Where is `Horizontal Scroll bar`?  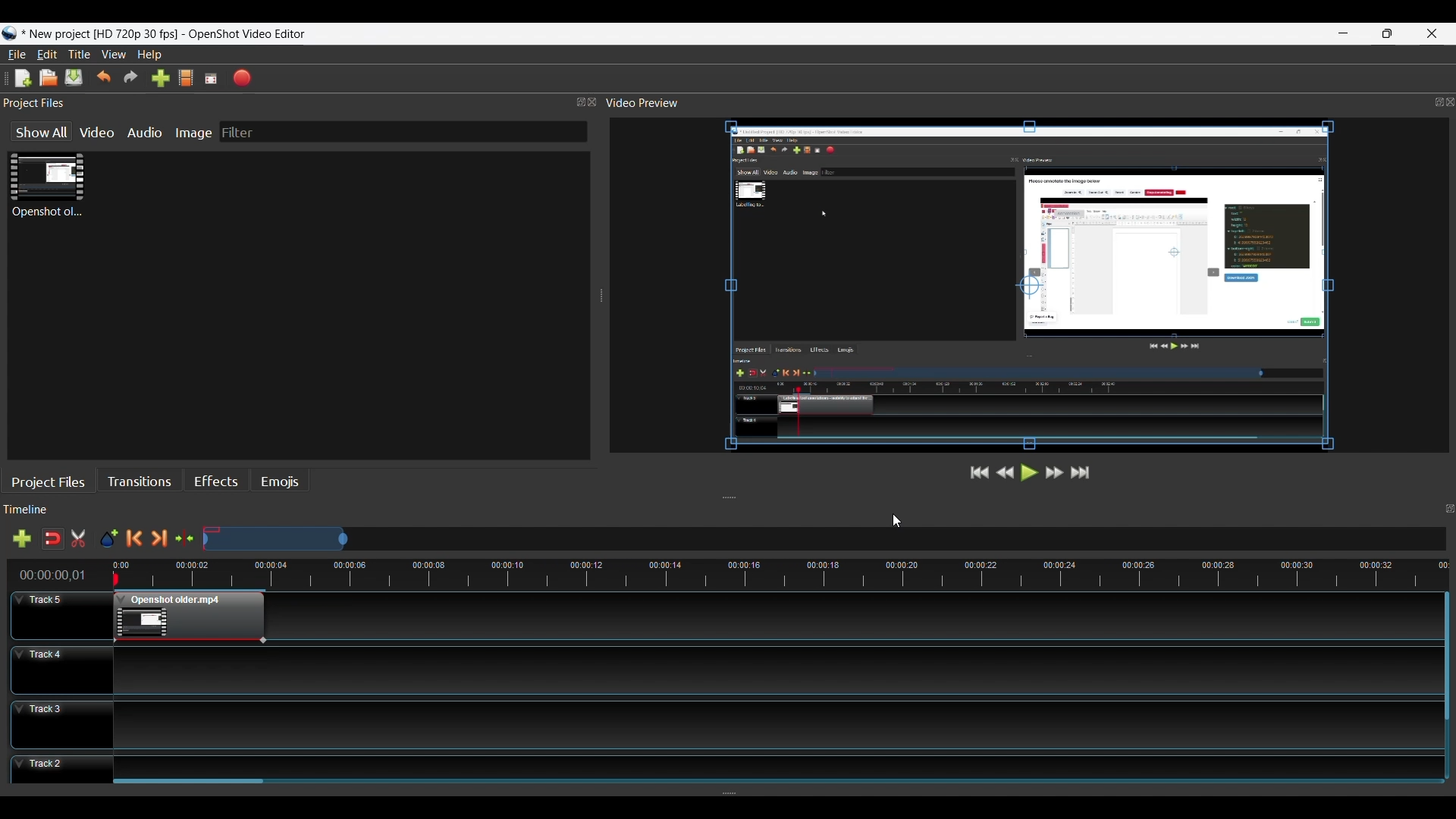 Horizontal Scroll bar is located at coordinates (192, 785).